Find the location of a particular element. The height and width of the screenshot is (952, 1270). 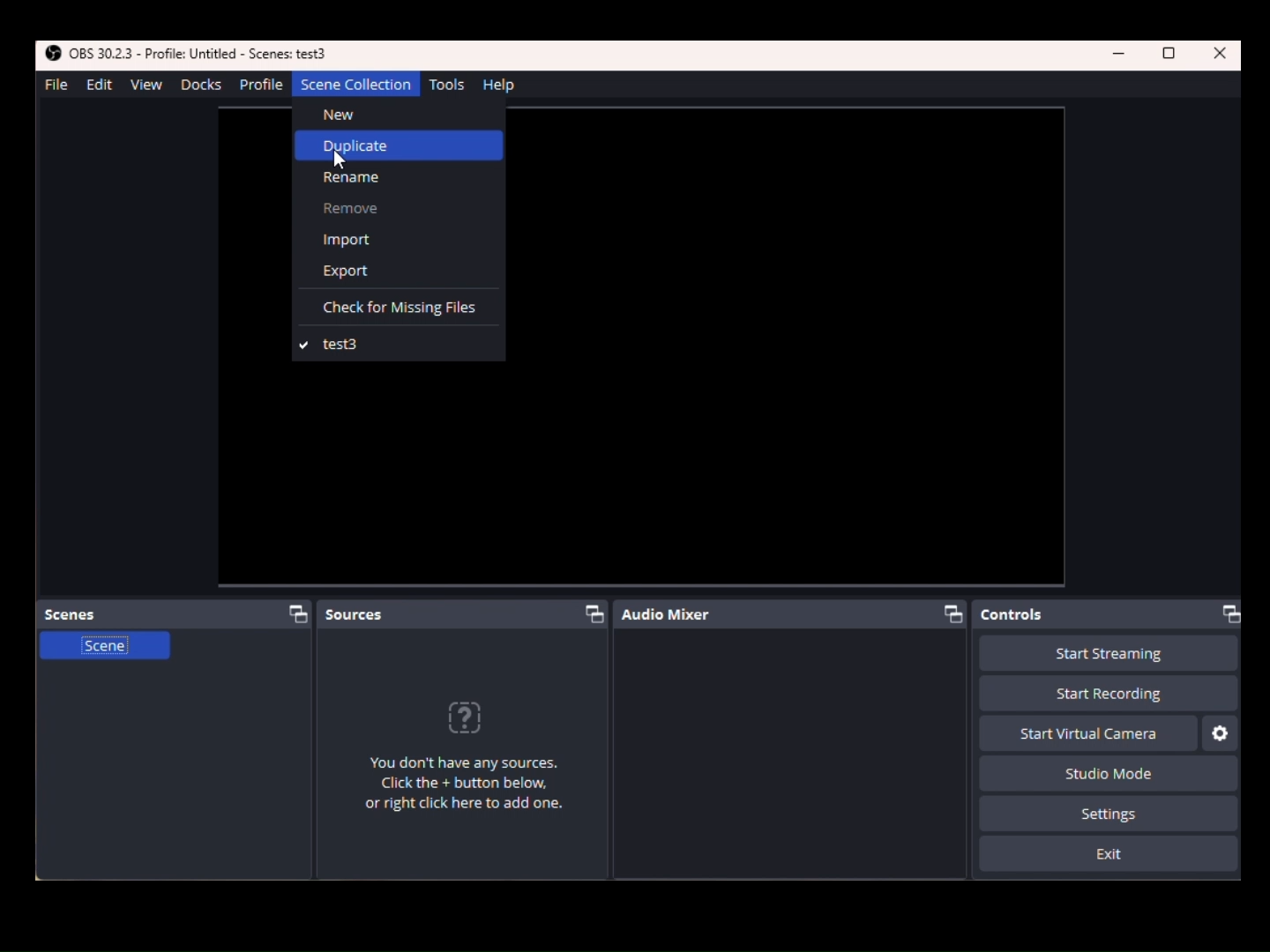

Box is located at coordinates (1170, 55).